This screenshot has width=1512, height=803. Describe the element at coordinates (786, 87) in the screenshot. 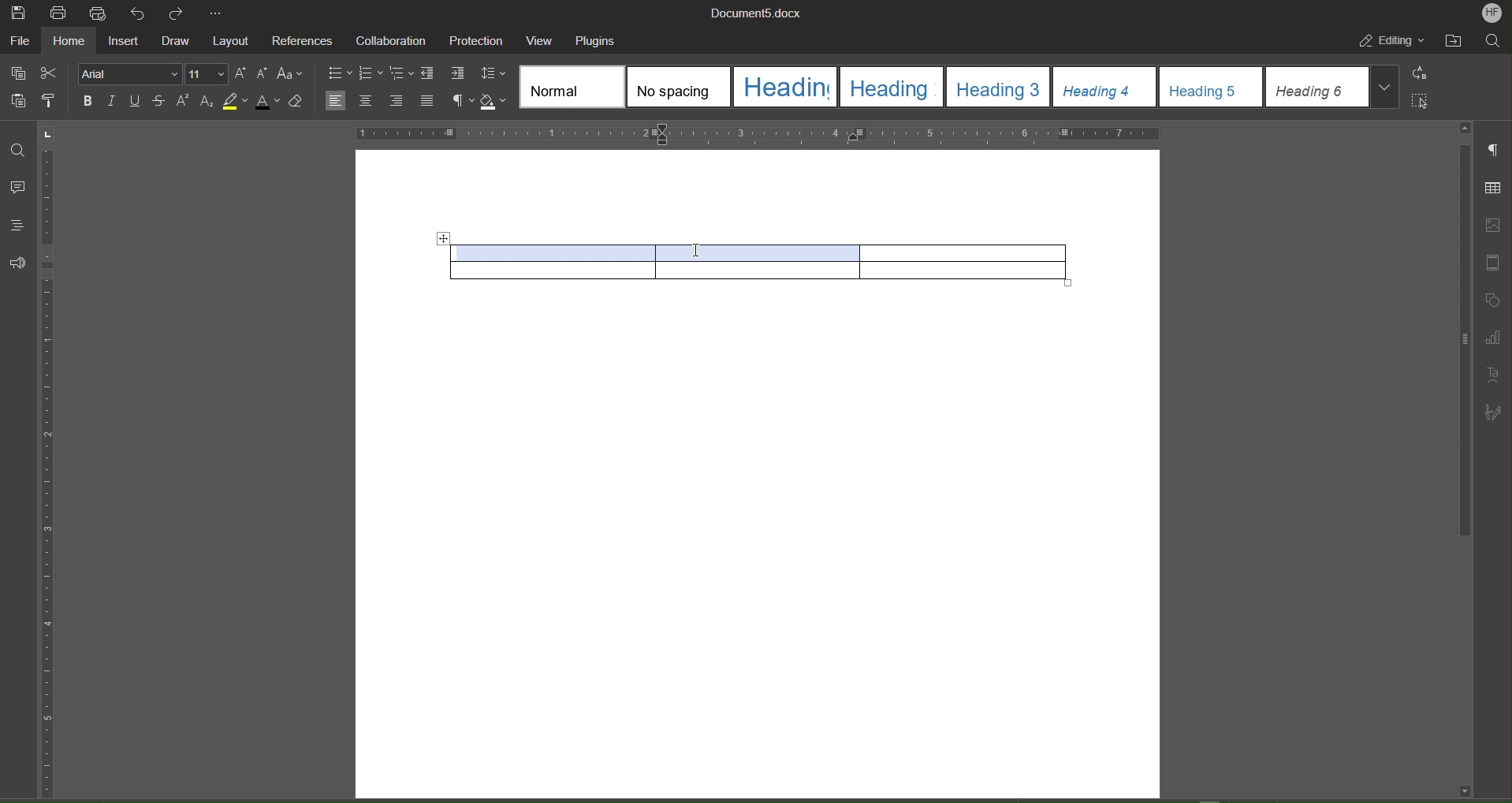

I see `heading 1` at that location.